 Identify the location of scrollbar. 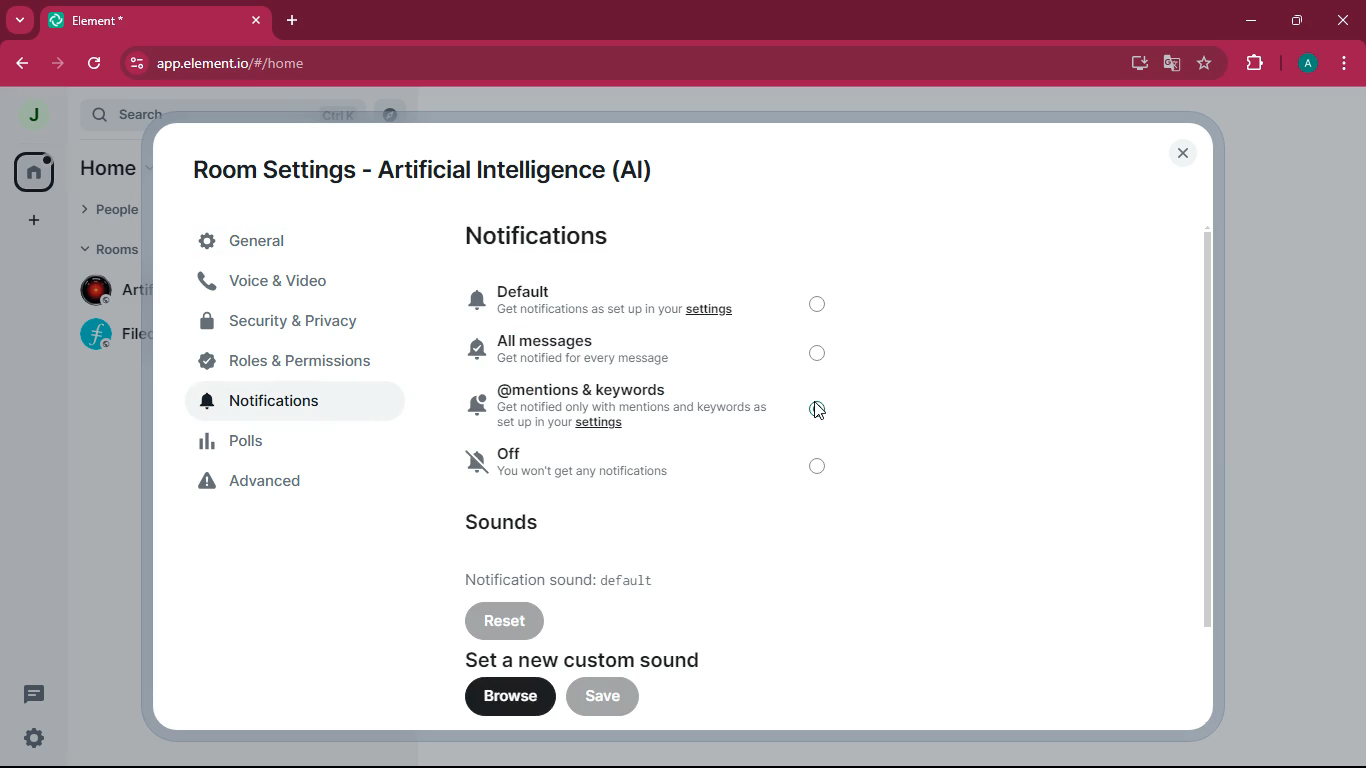
(1207, 429).